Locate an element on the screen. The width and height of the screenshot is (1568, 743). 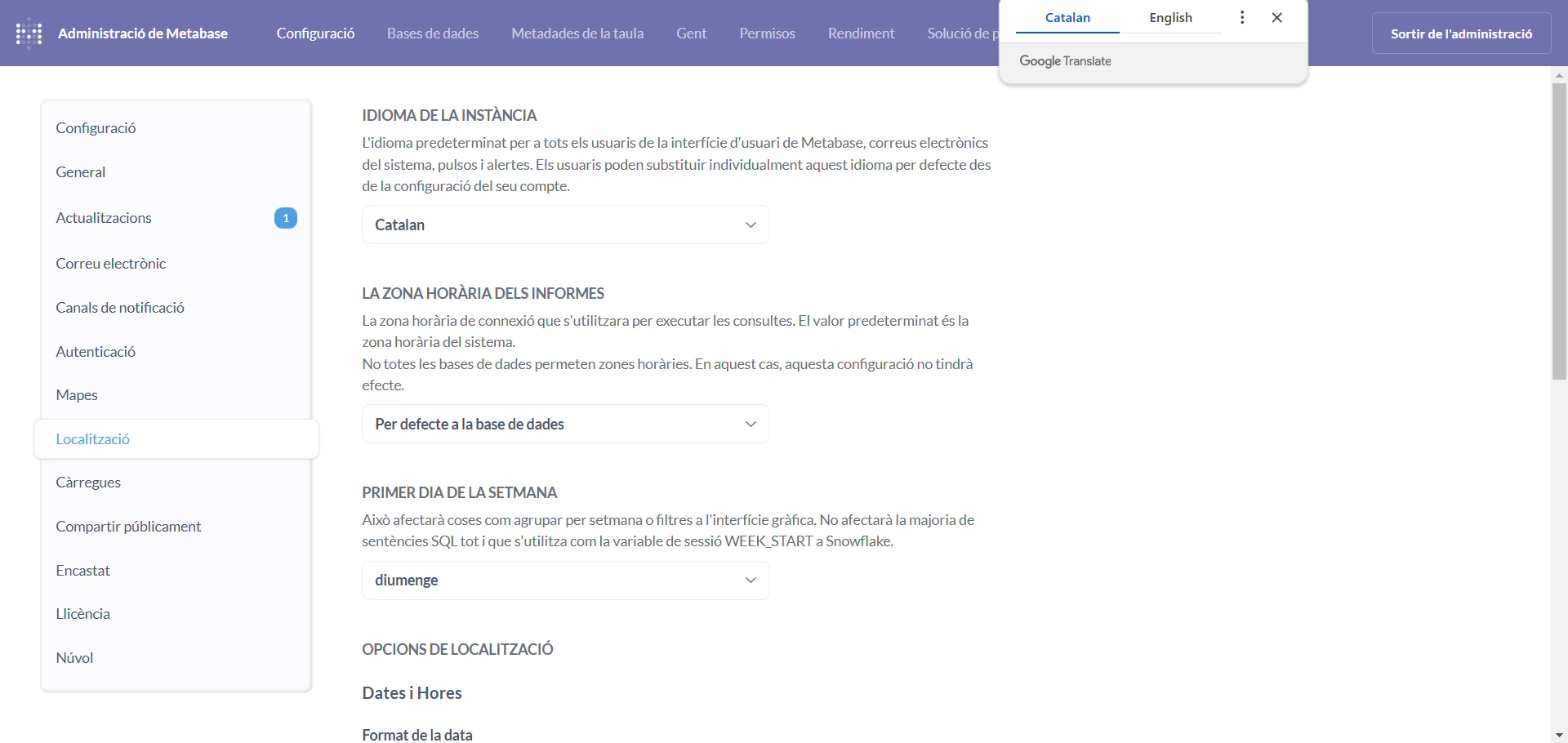
IDIOMA DE LA INSTANCIA

Lidioma predeterminat per a tots els usuaris de la interficie d'usuari de Metabase, correus electronics
del sistema, pulsos i alertes. Els usuaris poden substituir individualment aquest idioma per defecte des
de la configuracié del seu compte. is located at coordinates (689, 146).